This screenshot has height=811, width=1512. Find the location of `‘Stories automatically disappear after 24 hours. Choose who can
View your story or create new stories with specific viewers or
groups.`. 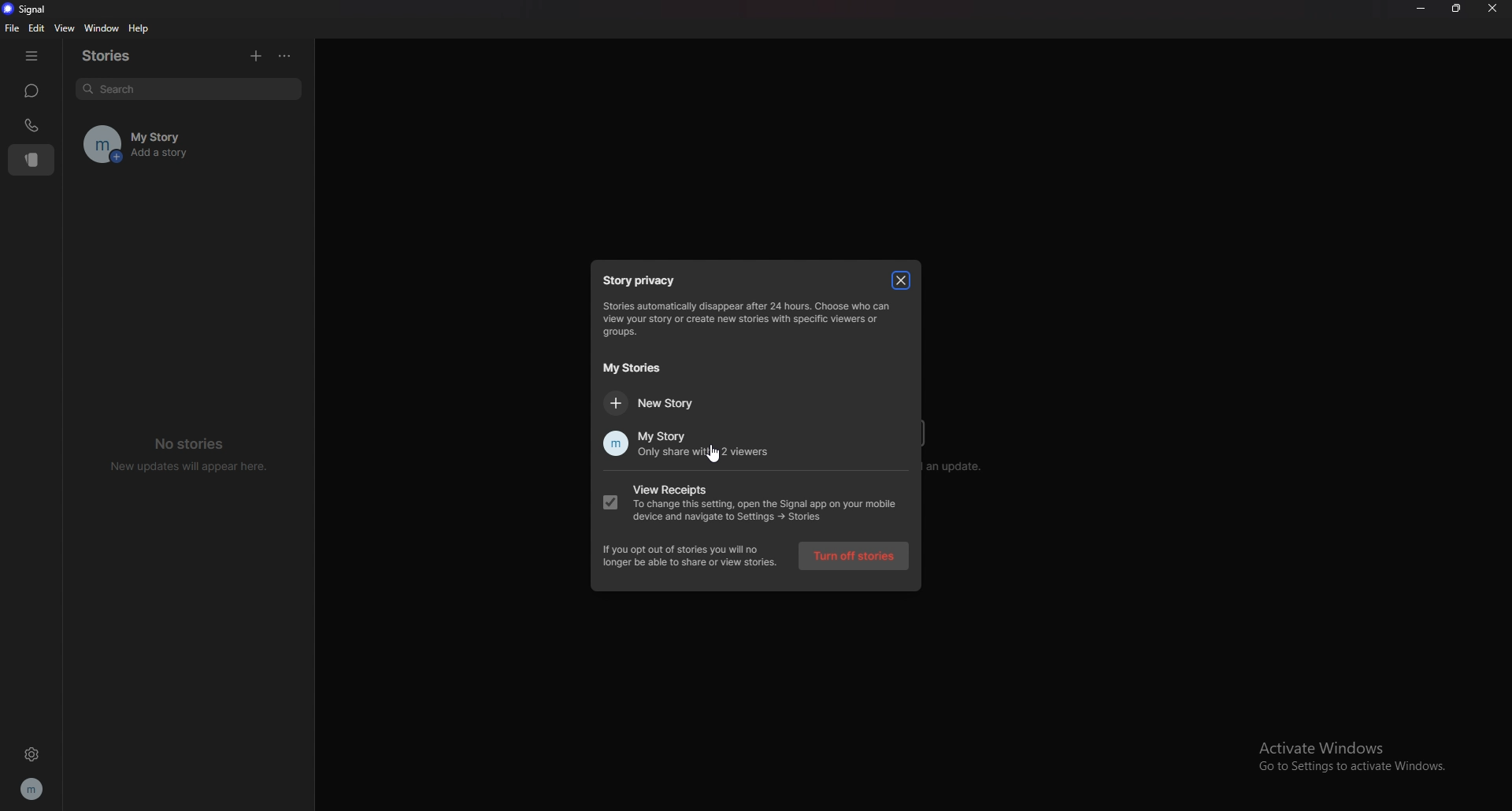

‘Stories automatically disappear after 24 hours. Choose who can
View your story or create new stories with specific viewers or
groups. is located at coordinates (756, 320).